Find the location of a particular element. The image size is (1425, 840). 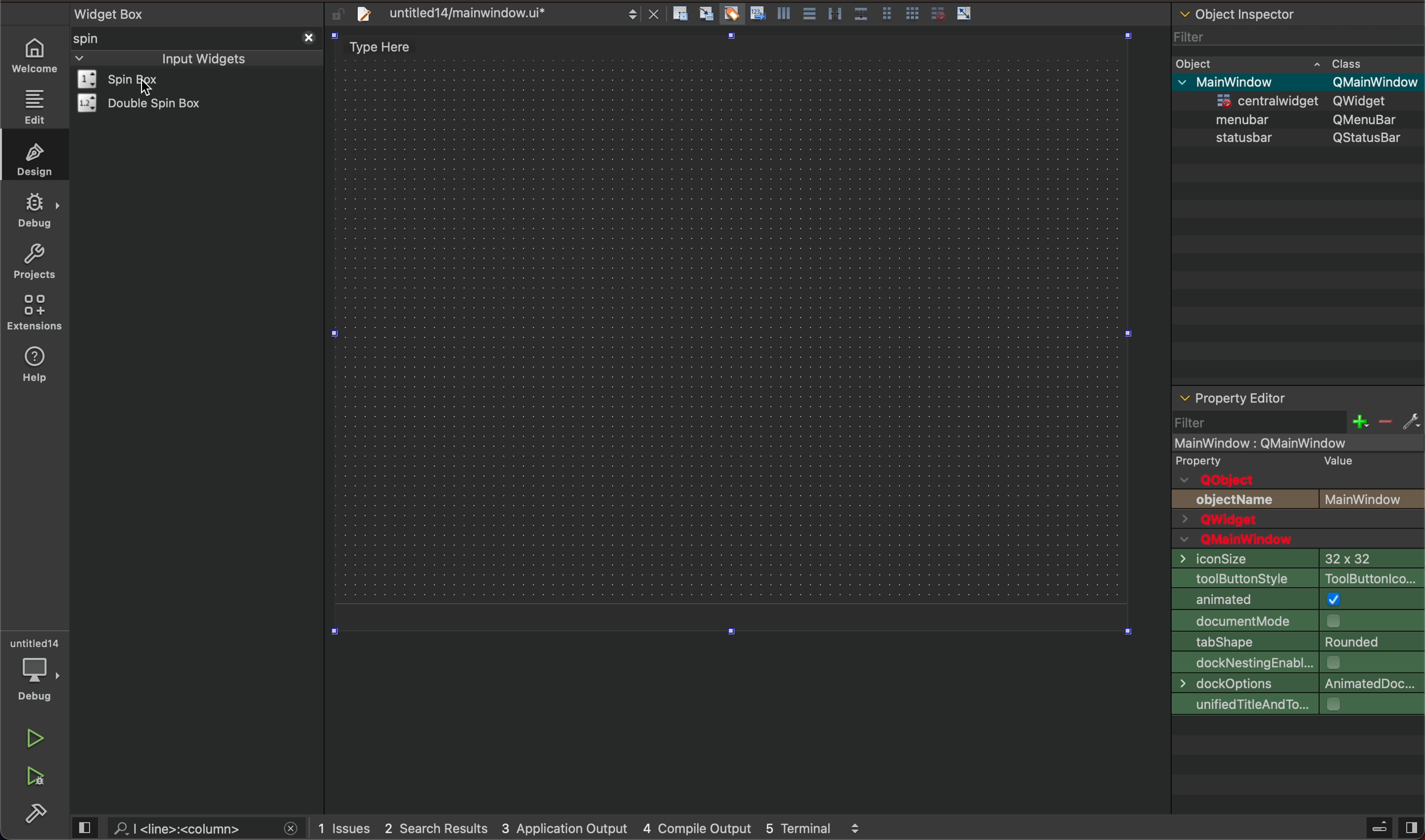

design is located at coordinates (32, 157).